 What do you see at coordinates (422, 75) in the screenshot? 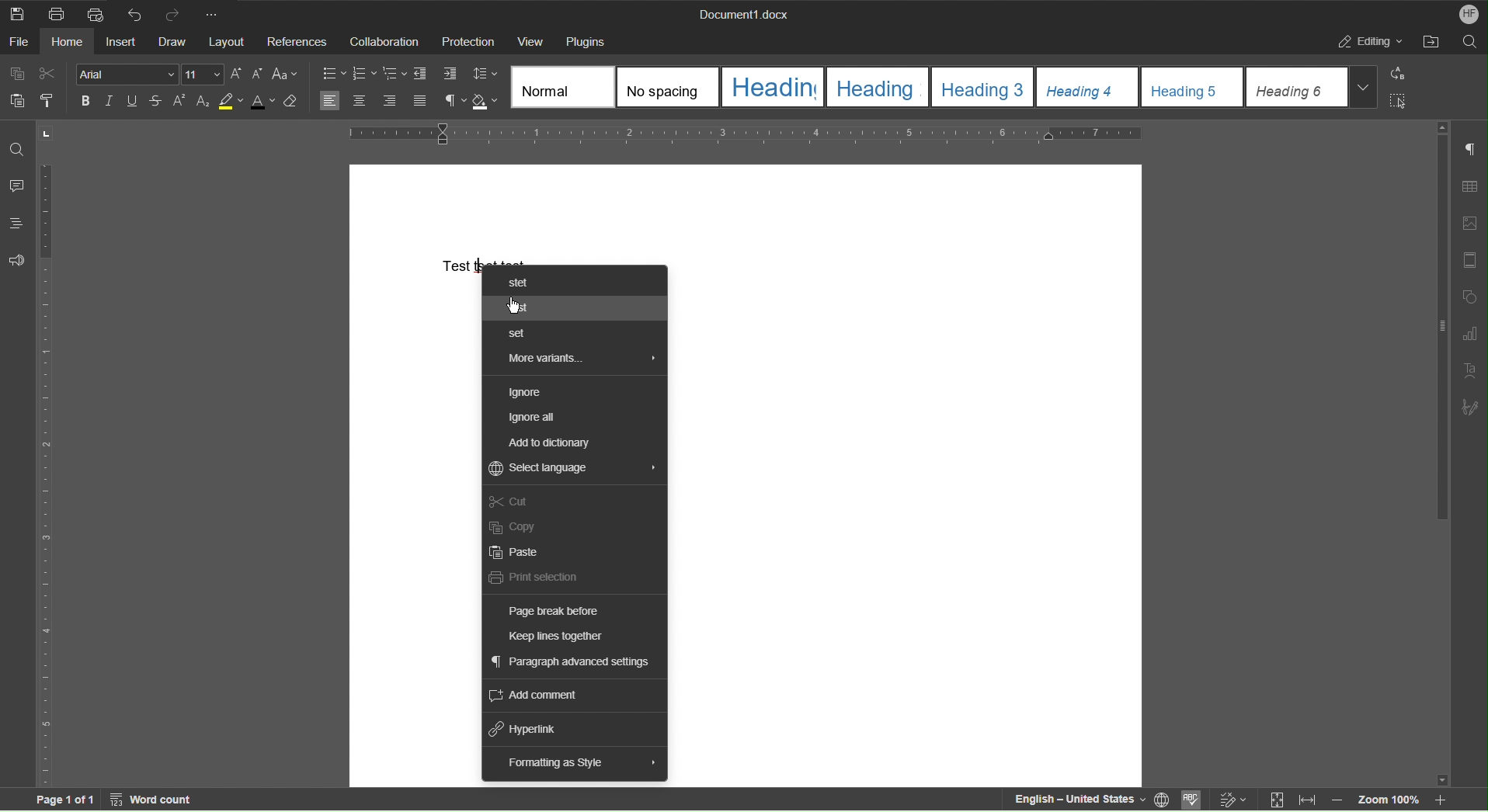
I see `Decrease Indent` at bounding box center [422, 75].